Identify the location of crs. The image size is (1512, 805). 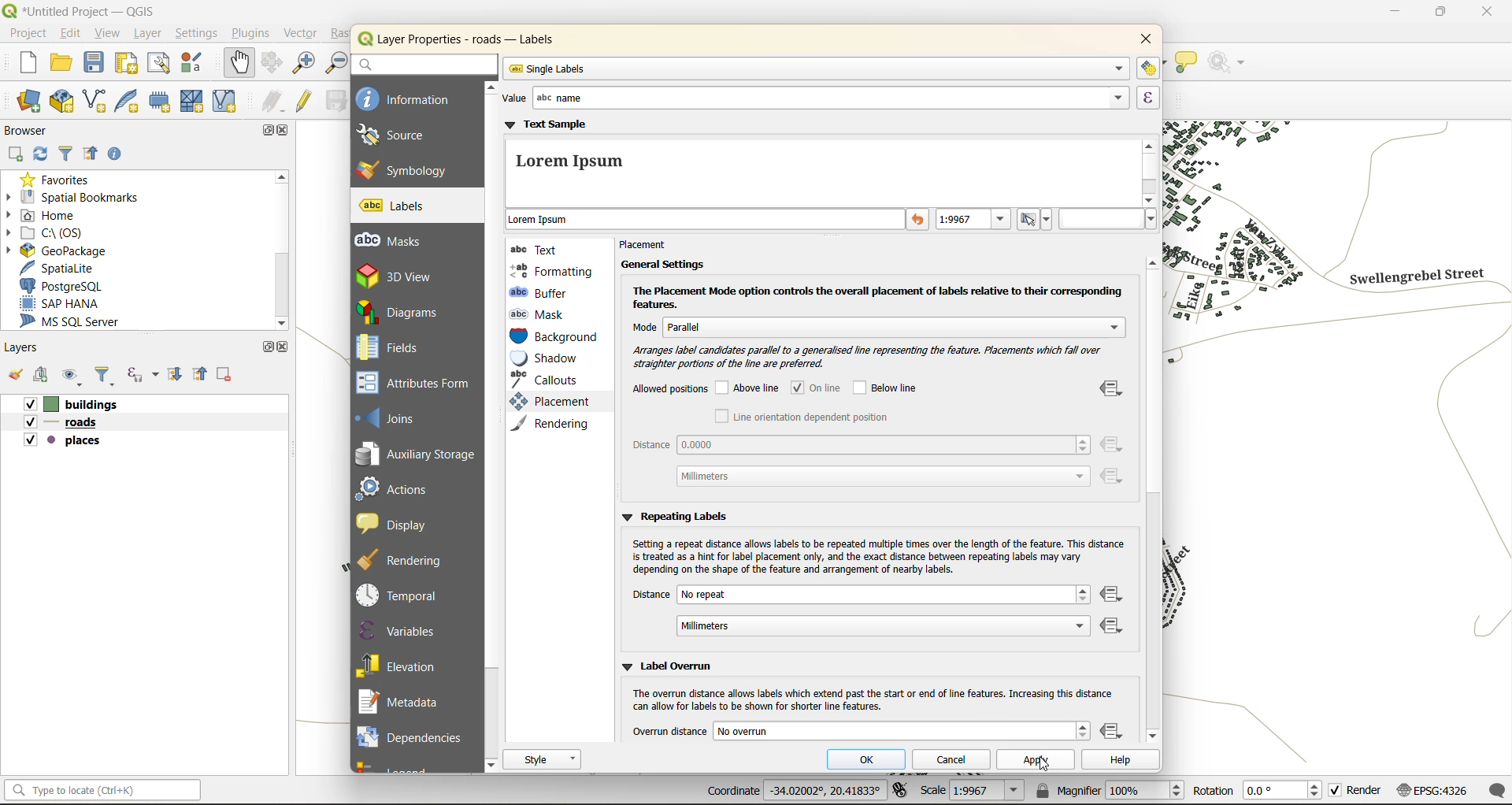
(1431, 787).